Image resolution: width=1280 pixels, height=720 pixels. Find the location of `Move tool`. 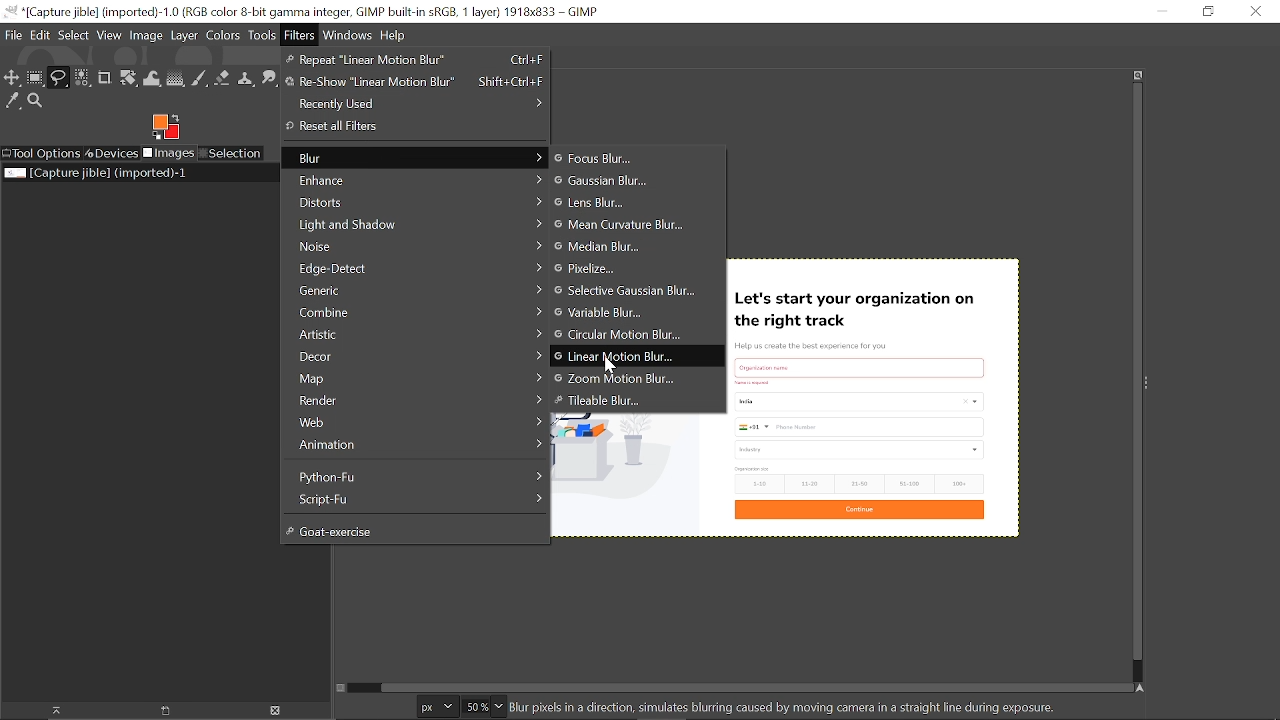

Move tool is located at coordinates (12, 77).